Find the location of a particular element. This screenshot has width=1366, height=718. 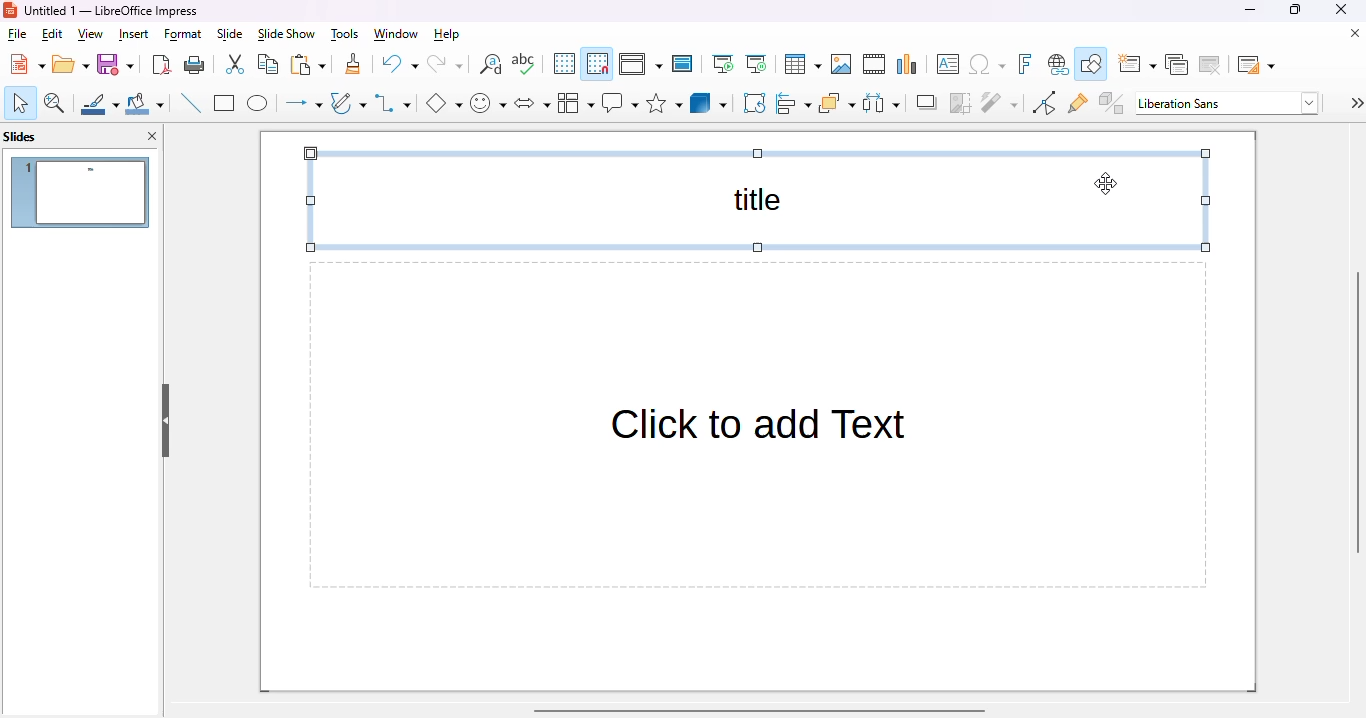

toggle extrusion is located at coordinates (1112, 102).